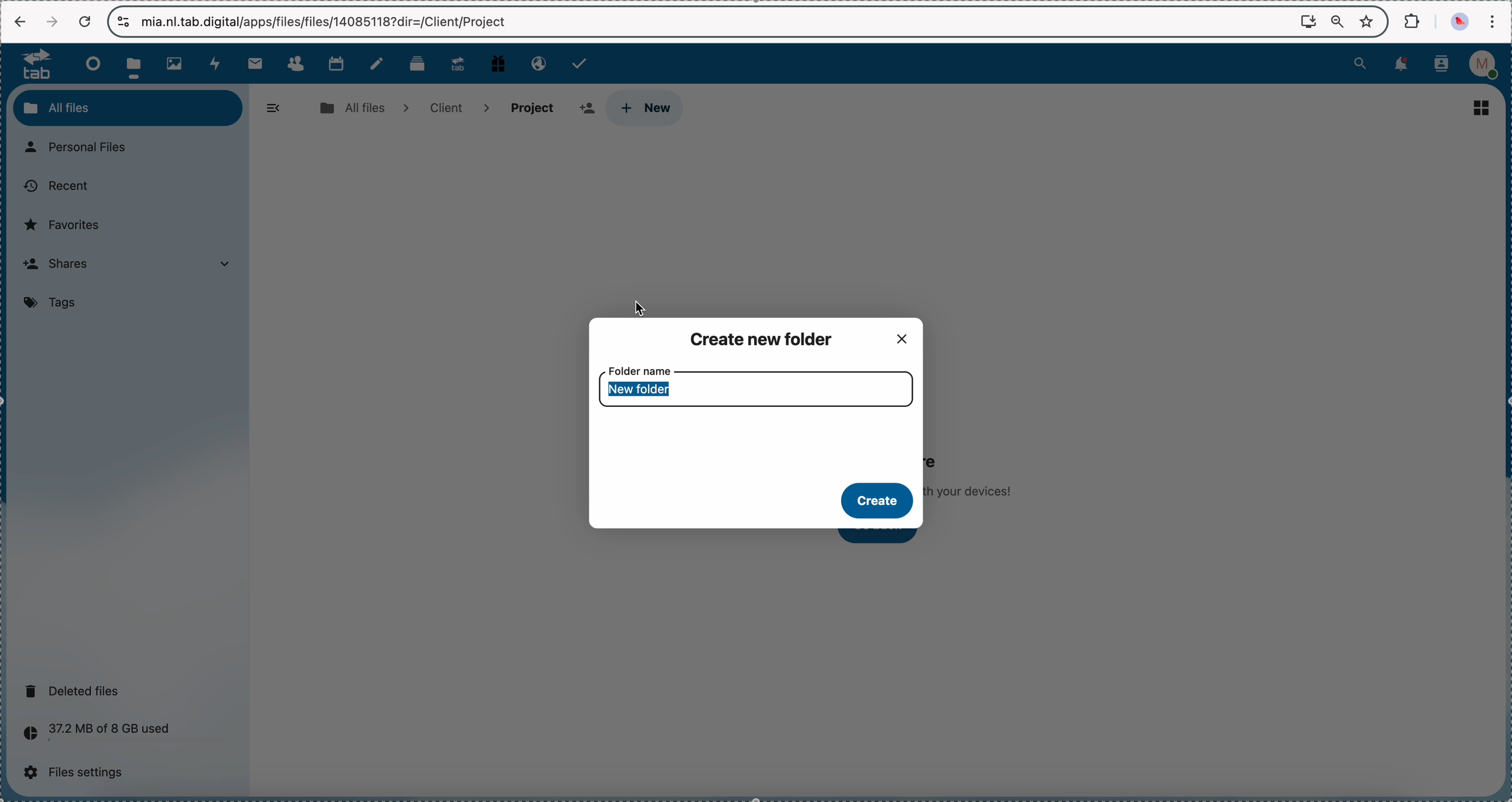 This screenshot has height=802, width=1512. Describe the element at coordinates (379, 64) in the screenshot. I see `notes` at that location.